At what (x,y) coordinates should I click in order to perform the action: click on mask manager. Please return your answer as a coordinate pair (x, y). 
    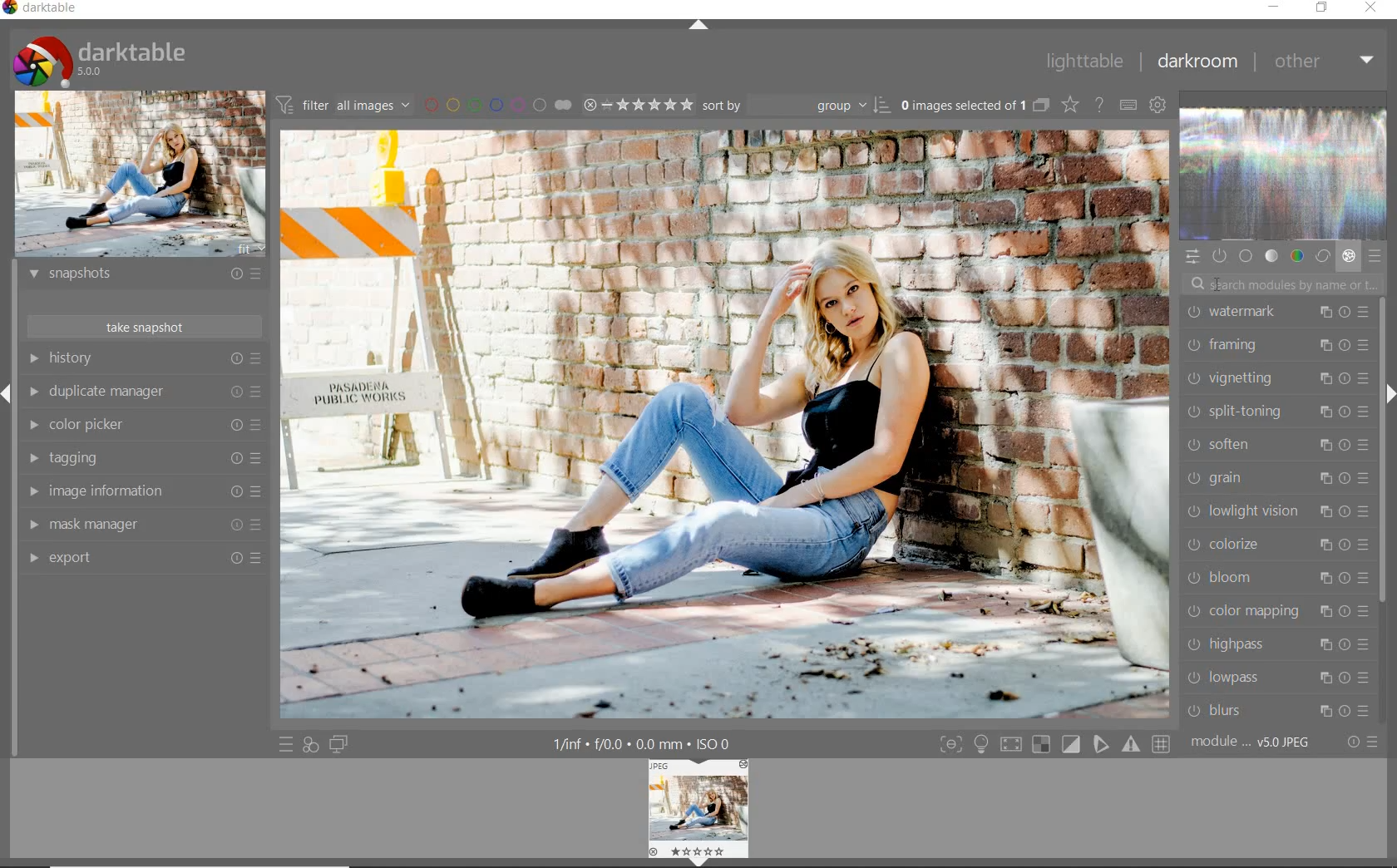
    Looking at the image, I should click on (141, 523).